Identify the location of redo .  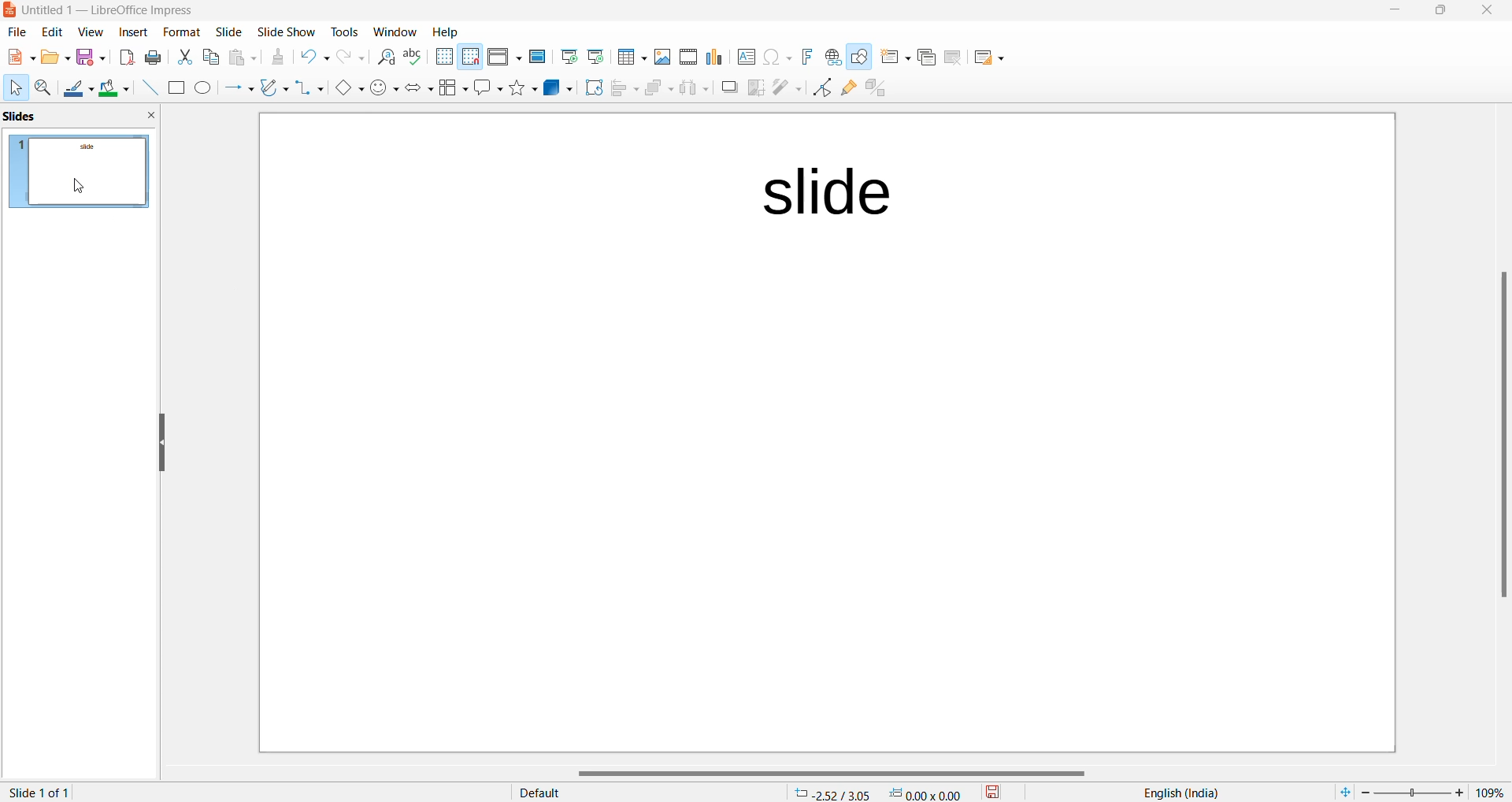
(351, 60).